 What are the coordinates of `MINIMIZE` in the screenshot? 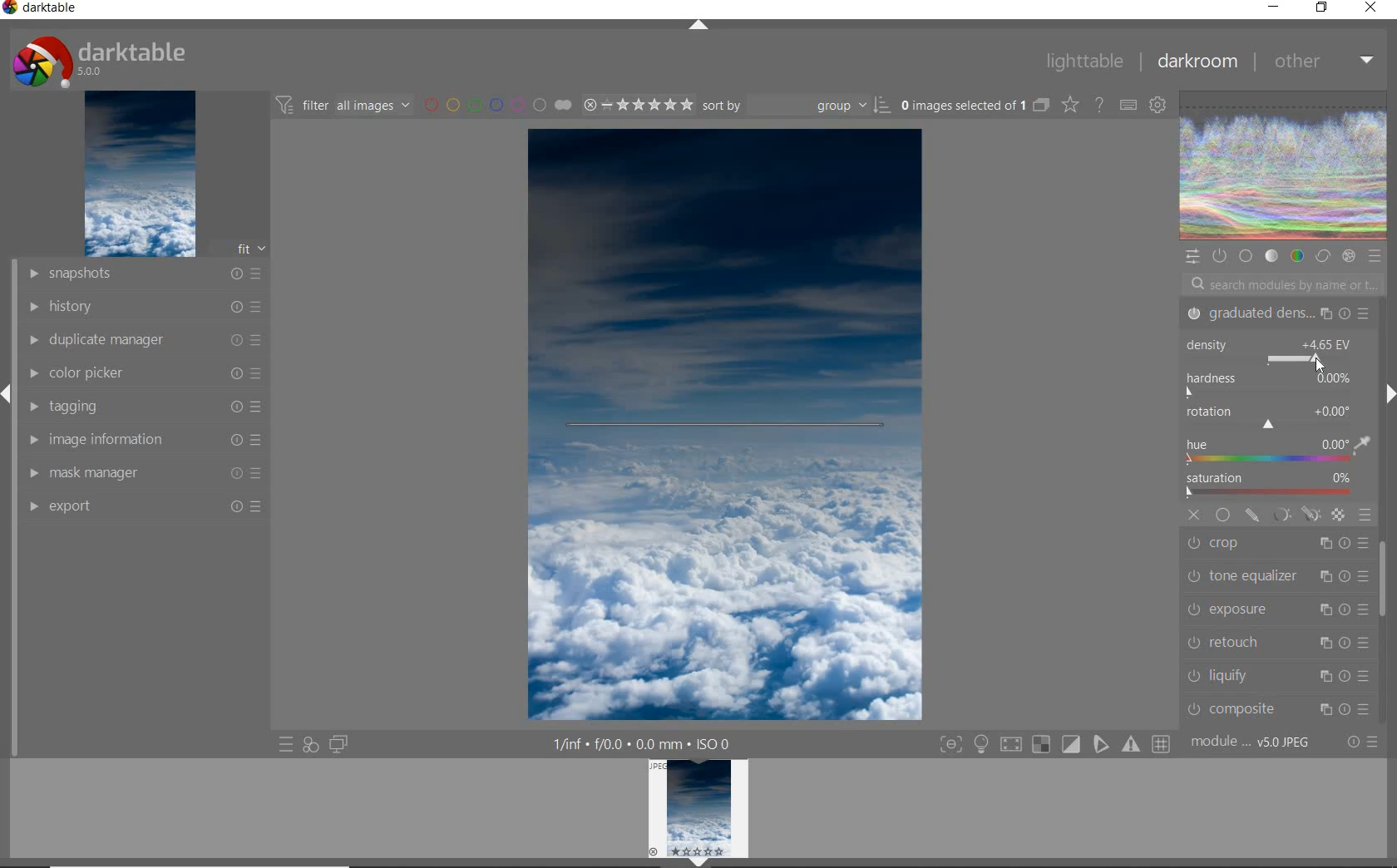 It's located at (1273, 6).